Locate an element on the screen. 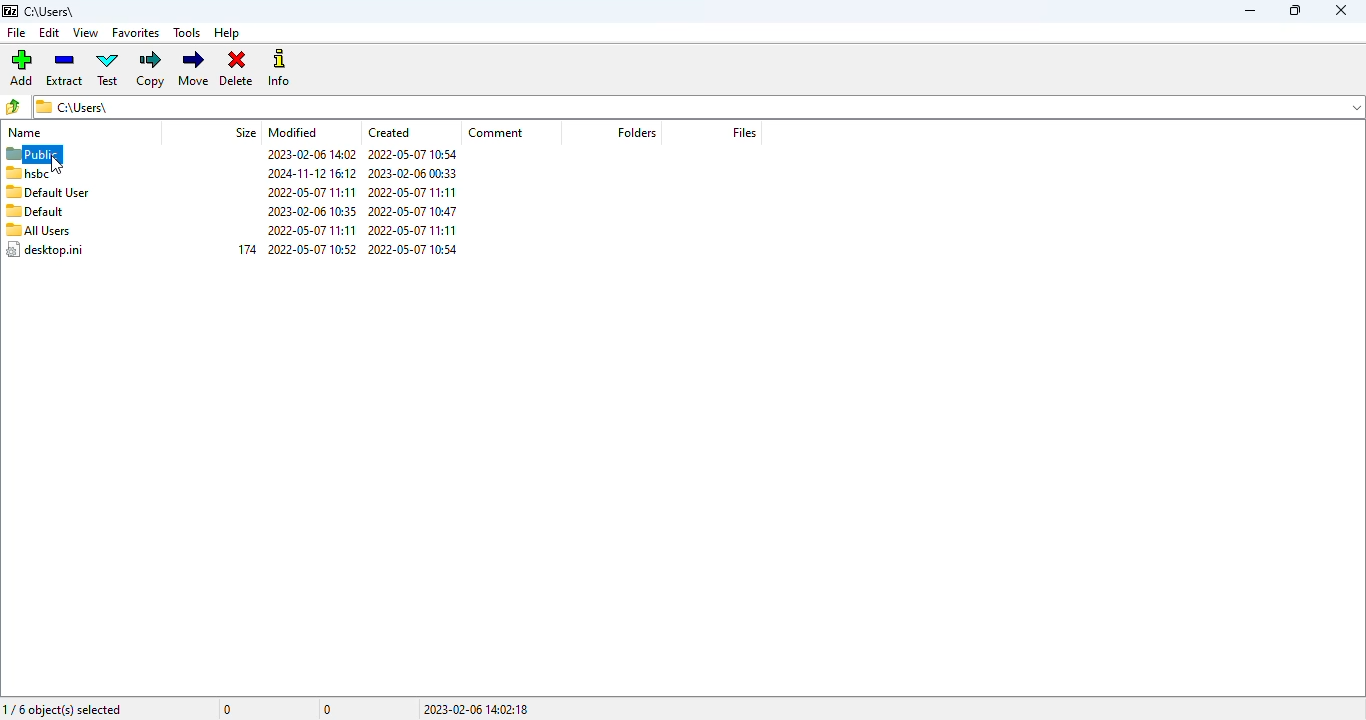 The width and height of the screenshot is (1366, 720). modified is located at coordinates (294, 132).